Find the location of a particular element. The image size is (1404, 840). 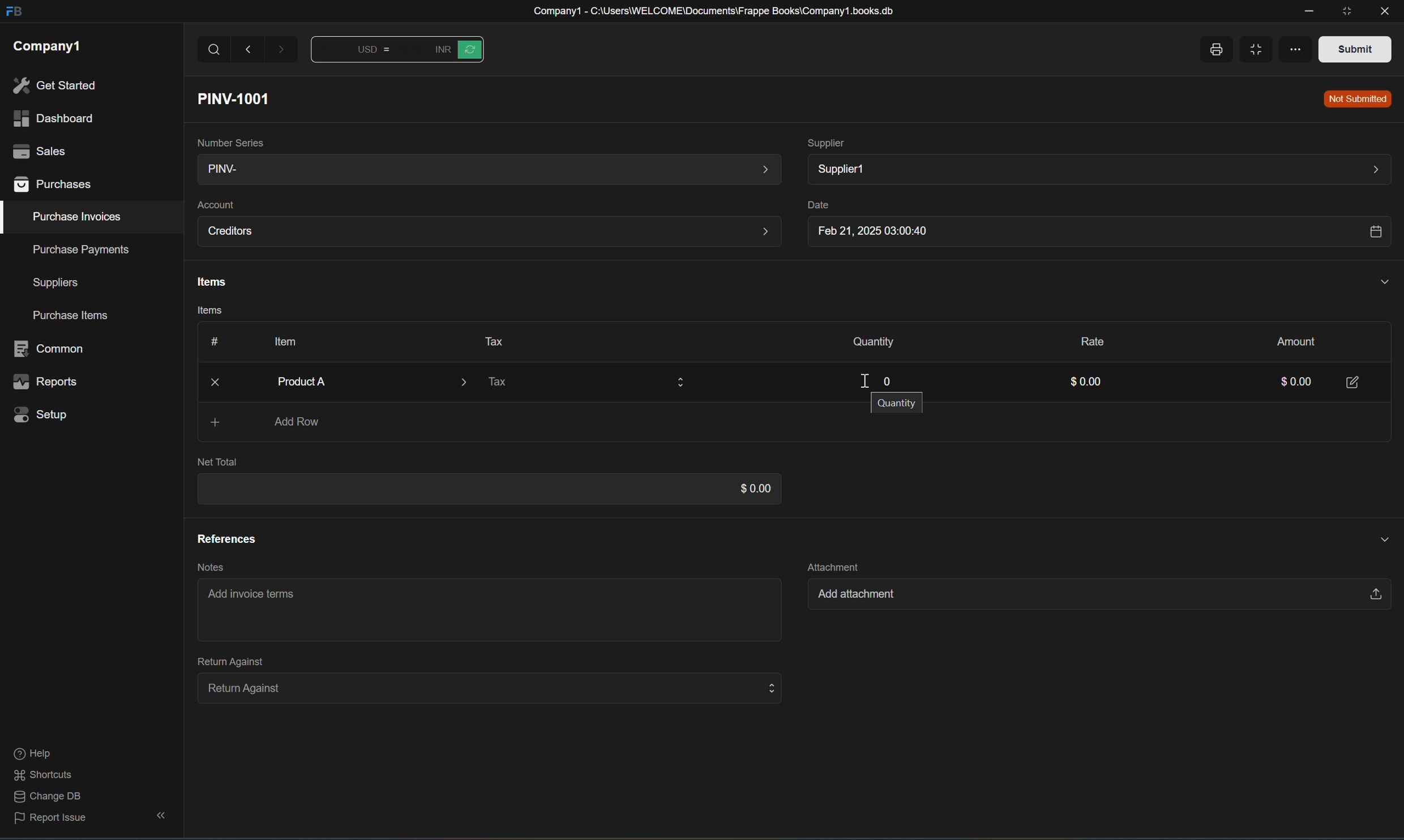

Edit is located at coordinates (1354, 381).